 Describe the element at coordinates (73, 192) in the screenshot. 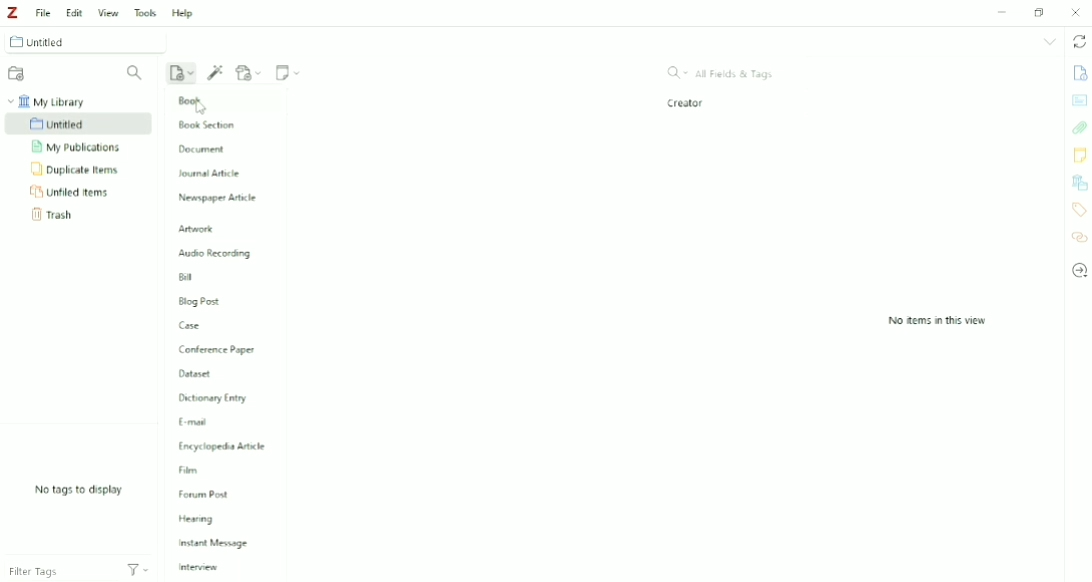

I see `Unfiled Items` at that location.